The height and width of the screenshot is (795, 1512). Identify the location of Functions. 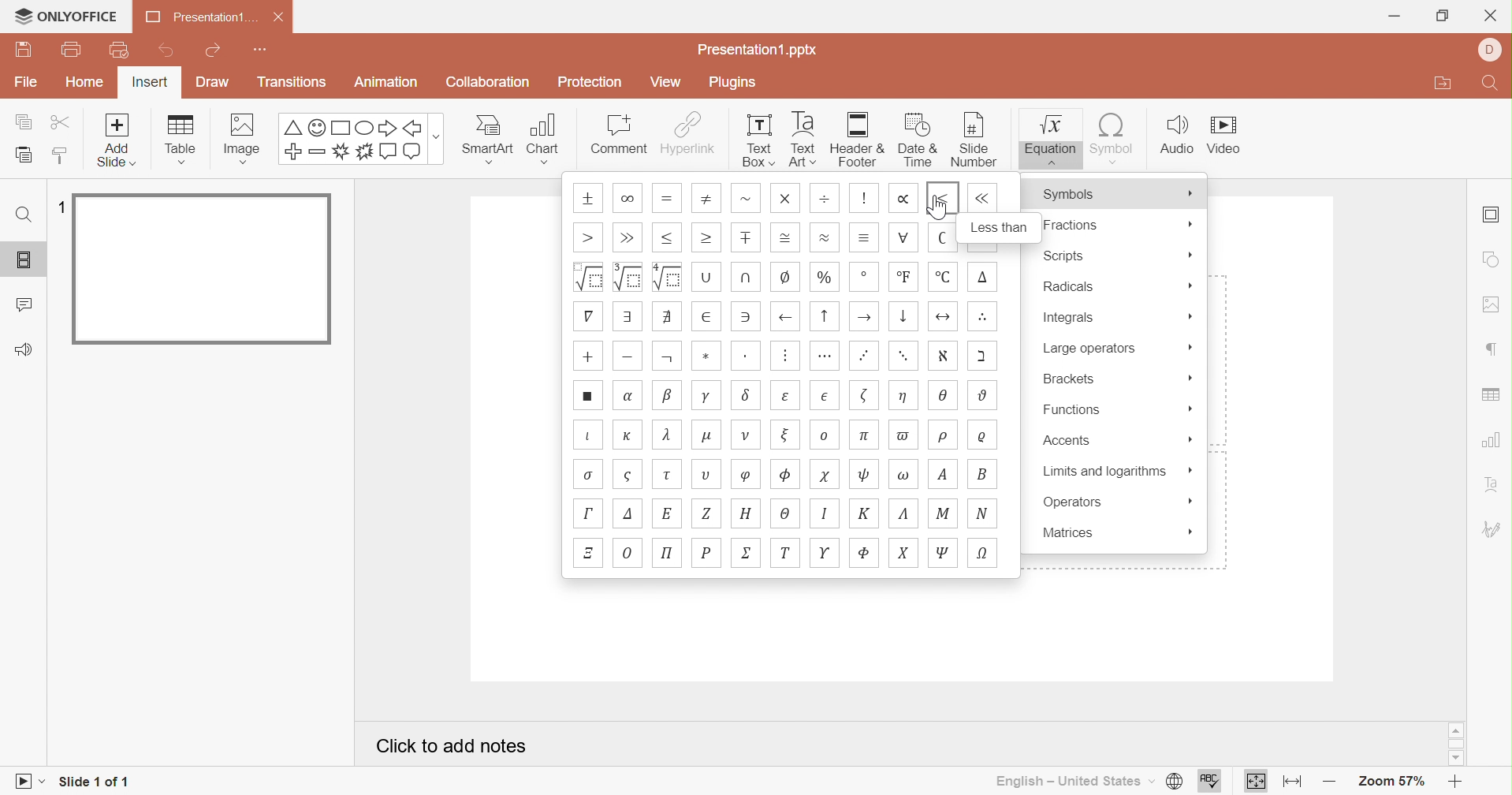
(1116, 409).